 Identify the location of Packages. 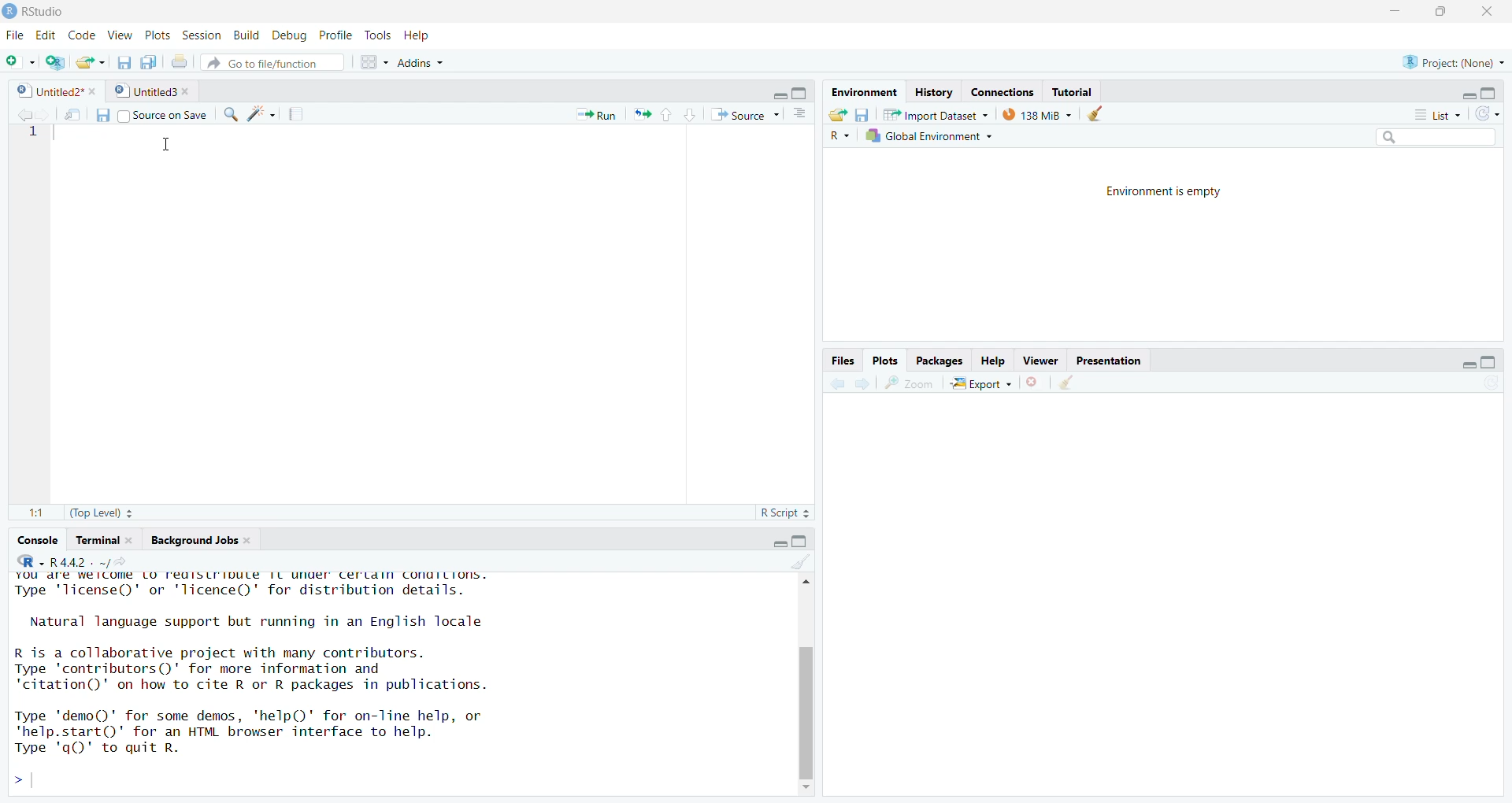
(942, 361).